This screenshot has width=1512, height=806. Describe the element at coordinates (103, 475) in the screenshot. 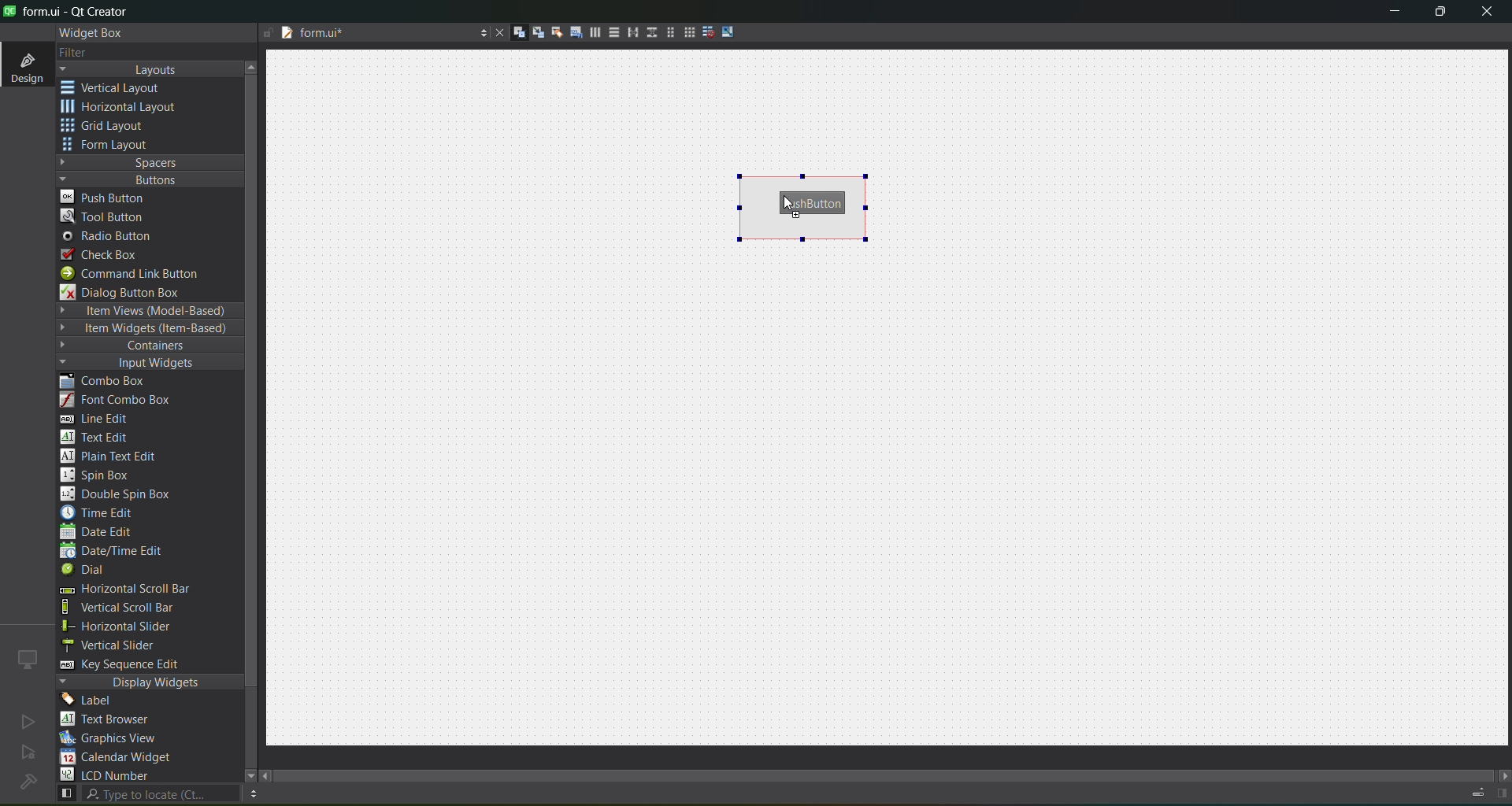

I see `spin box` at that location.